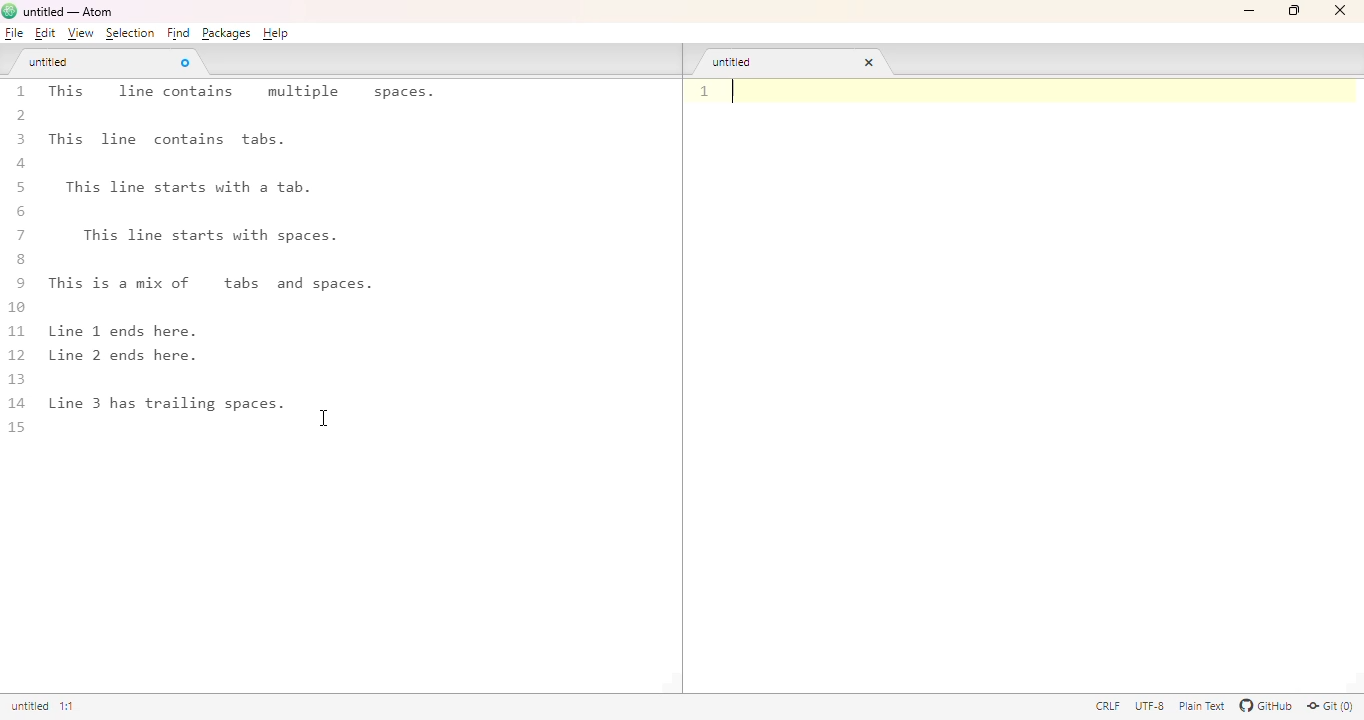 Image resolution: width=1364 pixels, height=720 pixels. Describe the element at coordinates (14, 33) in the screenshot. I see `file` at that location.